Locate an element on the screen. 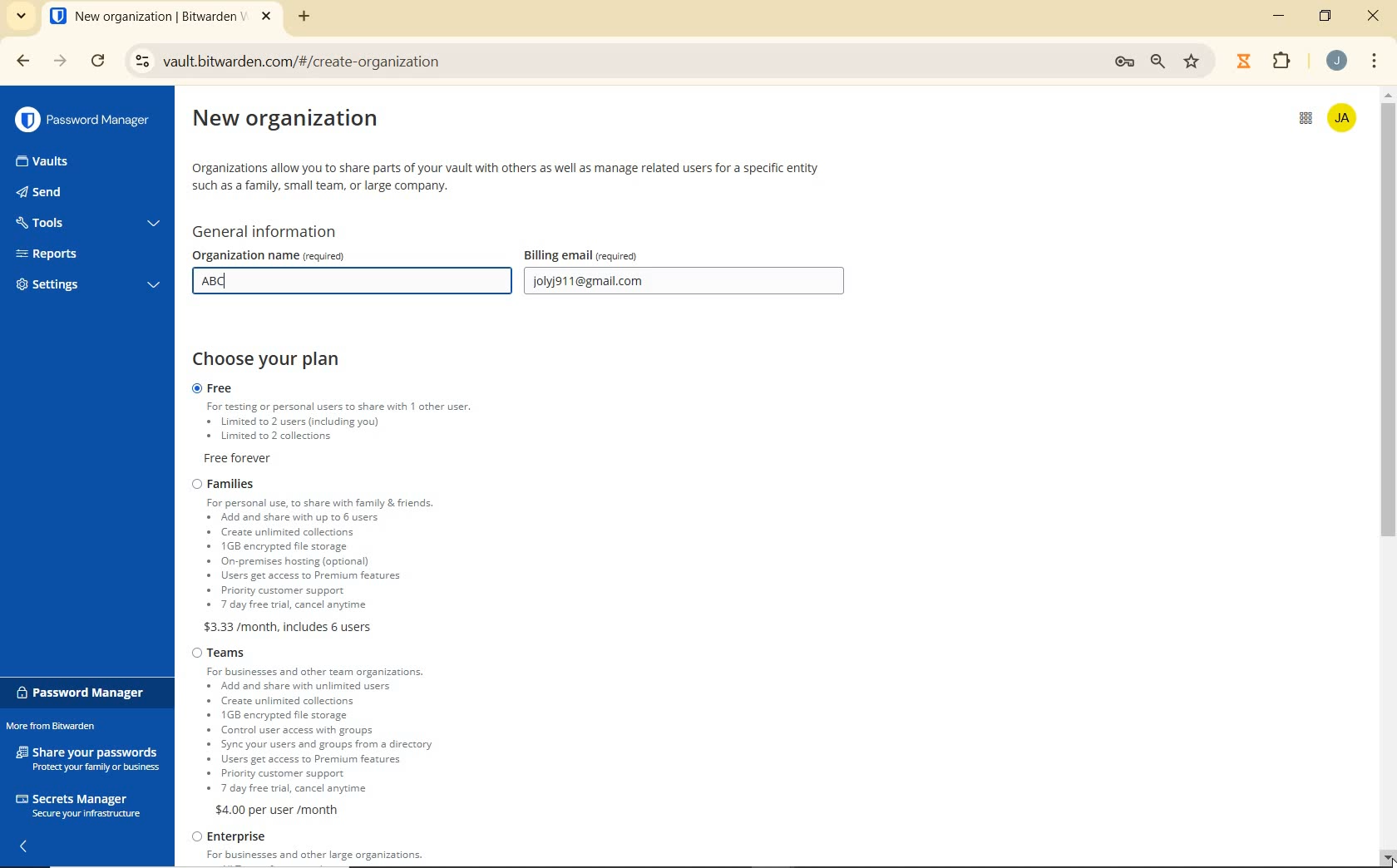 The width and height of the screenshot is (1397, 868). more from bitwarden is located at coordinates (61, 727).